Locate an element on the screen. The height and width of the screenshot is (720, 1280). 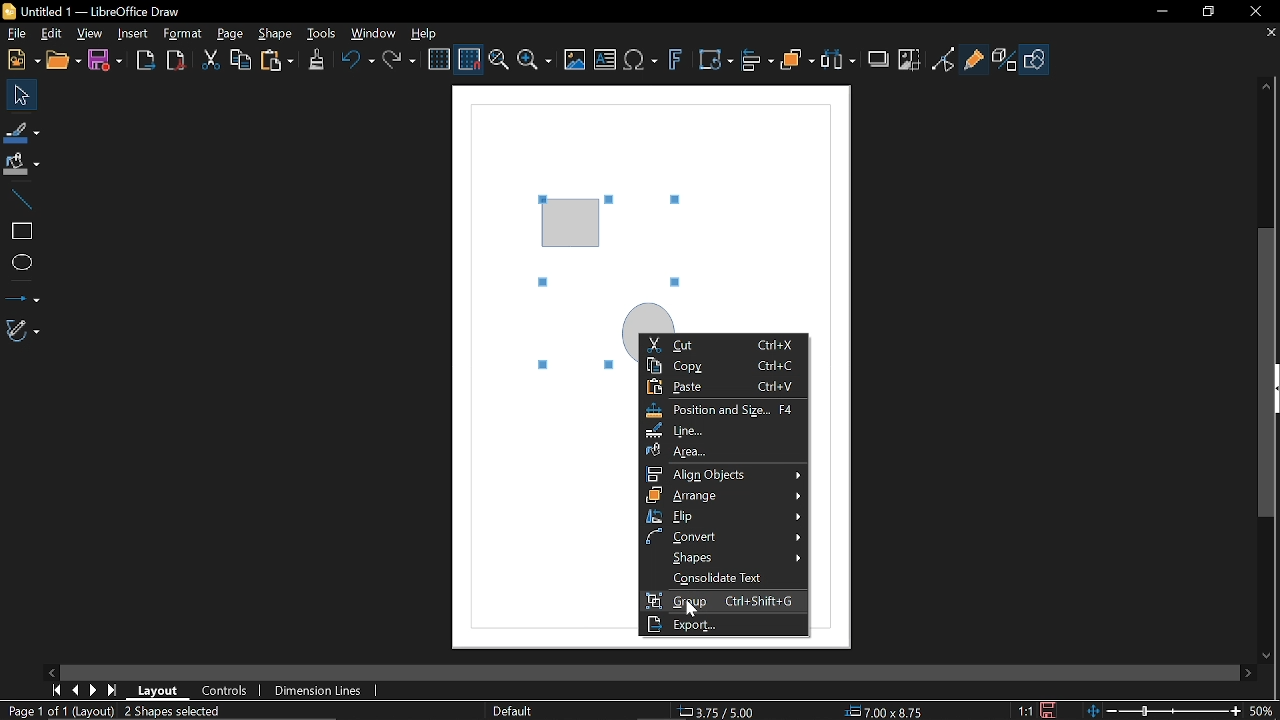
Minimize is located at coordinates (1162, 11).